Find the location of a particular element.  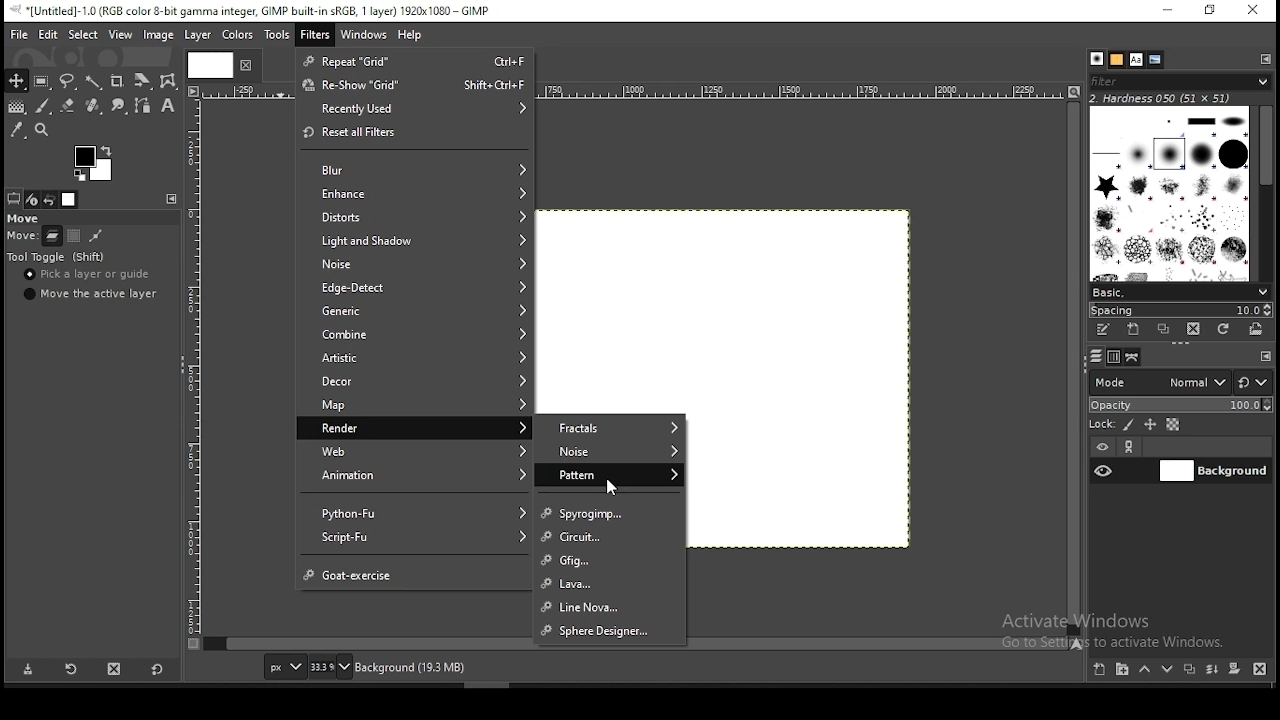

paths tool is located at coordinates (148, 104).